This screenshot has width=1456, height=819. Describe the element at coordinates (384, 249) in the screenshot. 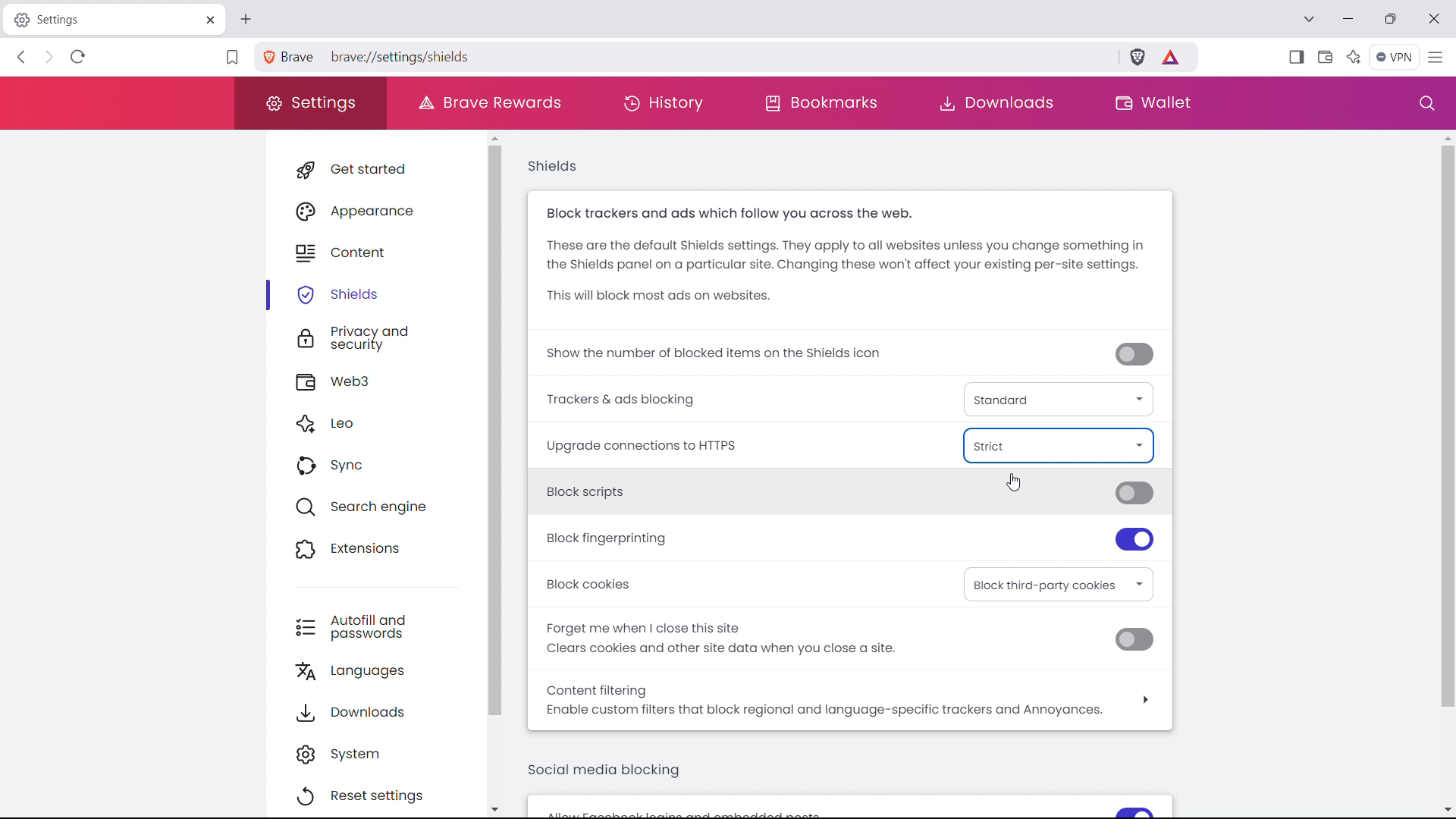

I see `content` at that location.